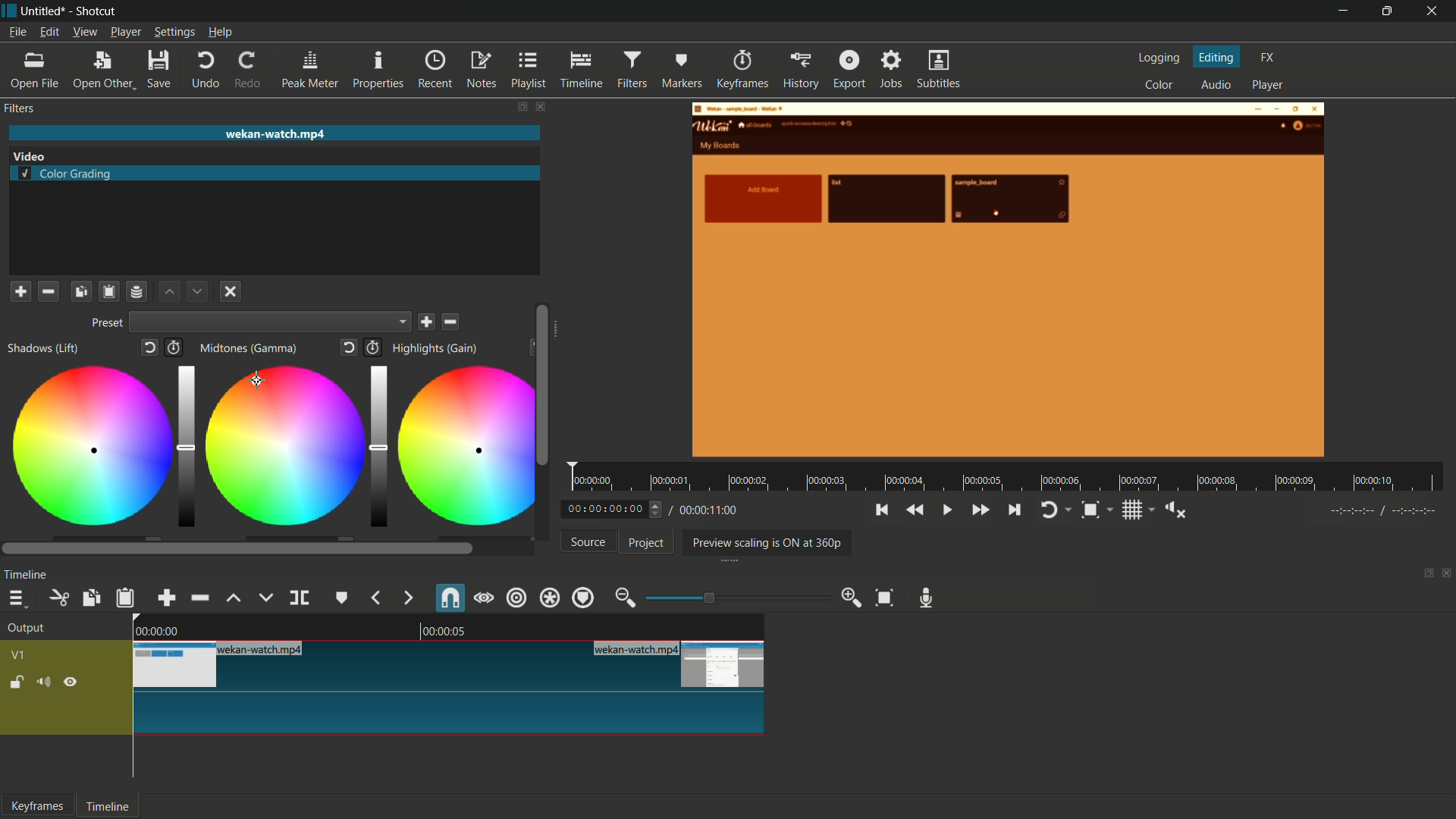 The height and width of the screenshot is (819, 1456). What do you see at coordinates (374, 598) in the screenshot?
I see `previous marker` at bounding box center [374, 598].